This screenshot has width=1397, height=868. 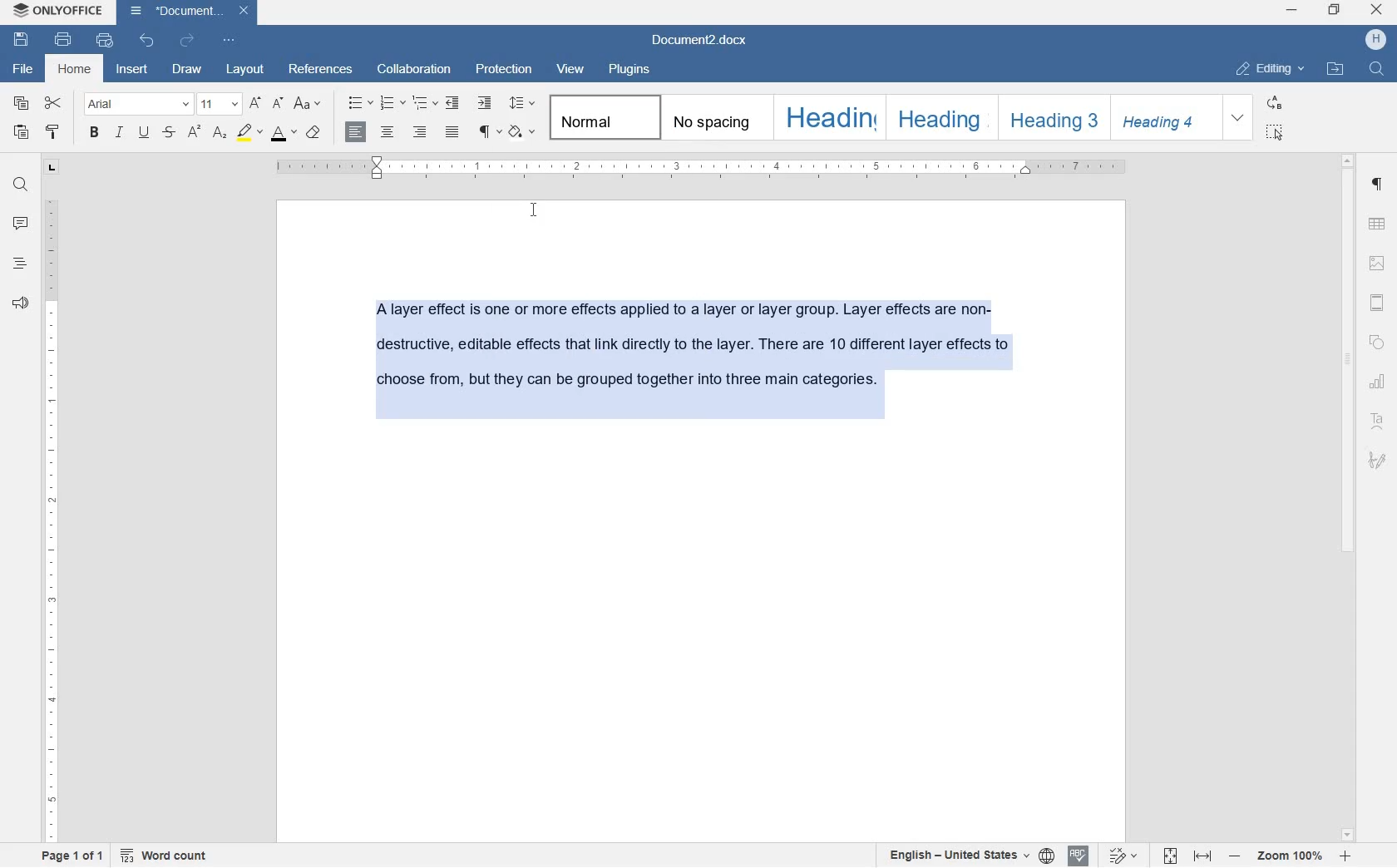 I want to click on subscript, so click(x=220, y=134).